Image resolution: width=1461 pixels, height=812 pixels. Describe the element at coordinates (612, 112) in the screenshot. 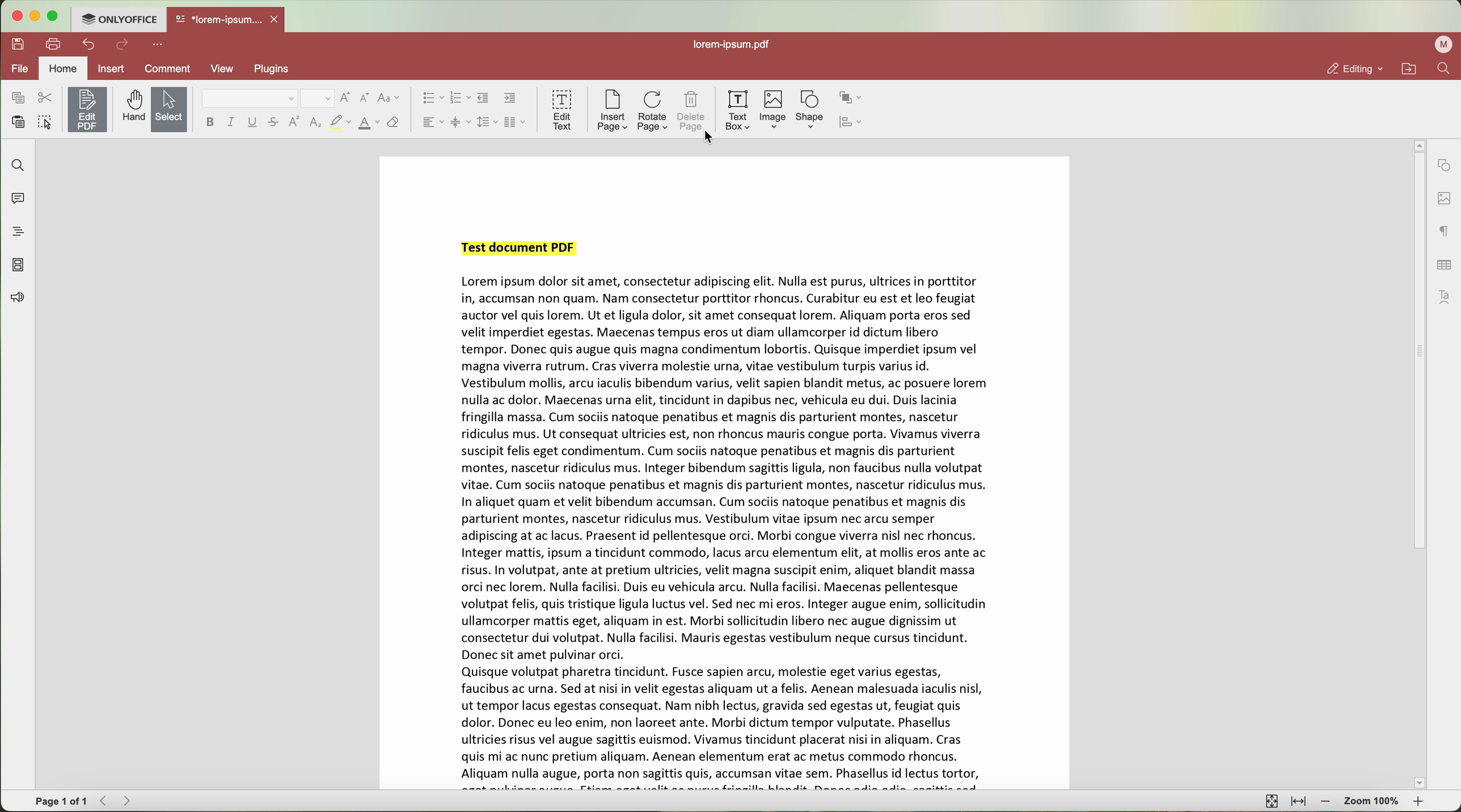

I see `insert page` at that location.